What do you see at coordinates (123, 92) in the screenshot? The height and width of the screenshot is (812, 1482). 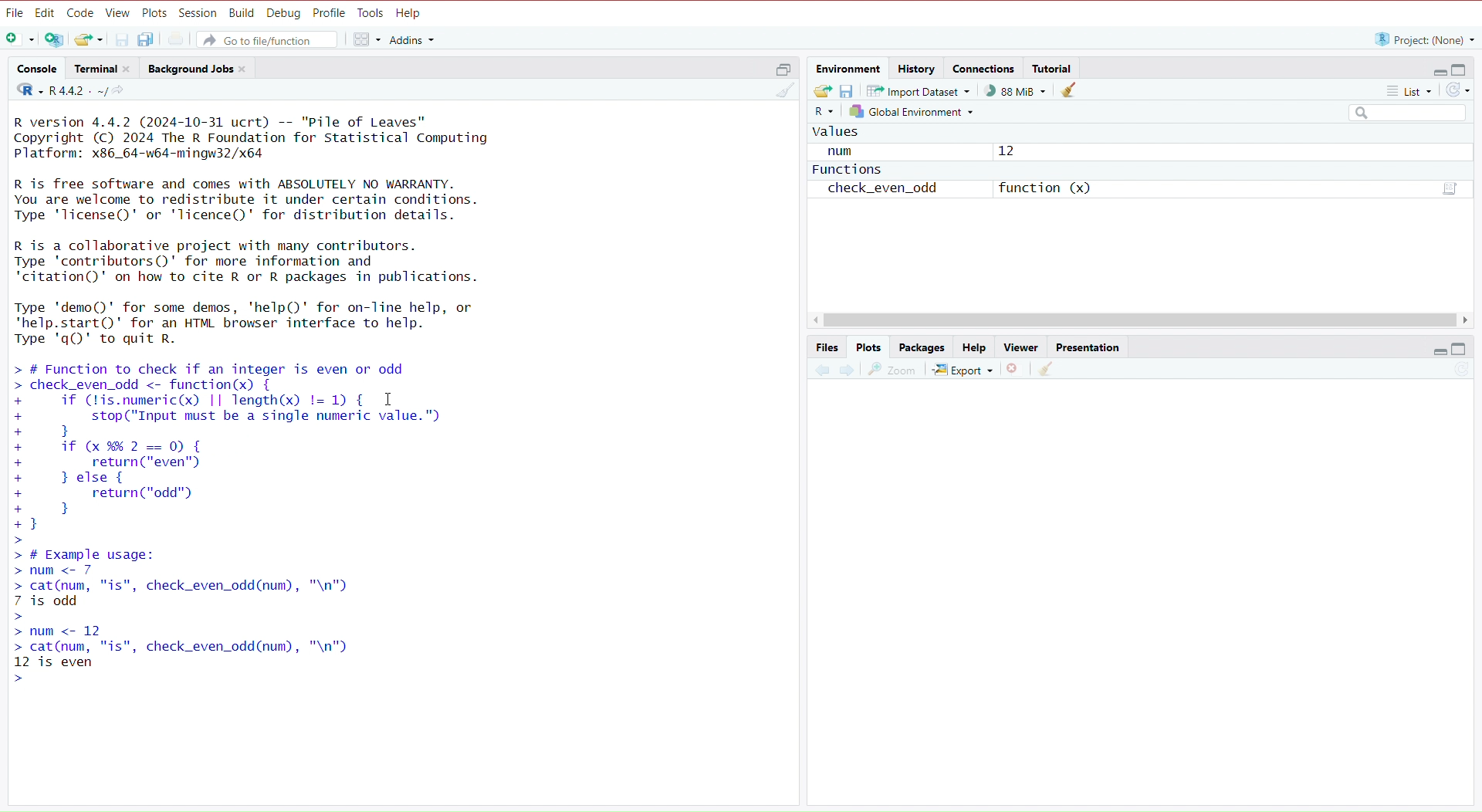 I see `view the current working directory` at bounding box center [123, 92].